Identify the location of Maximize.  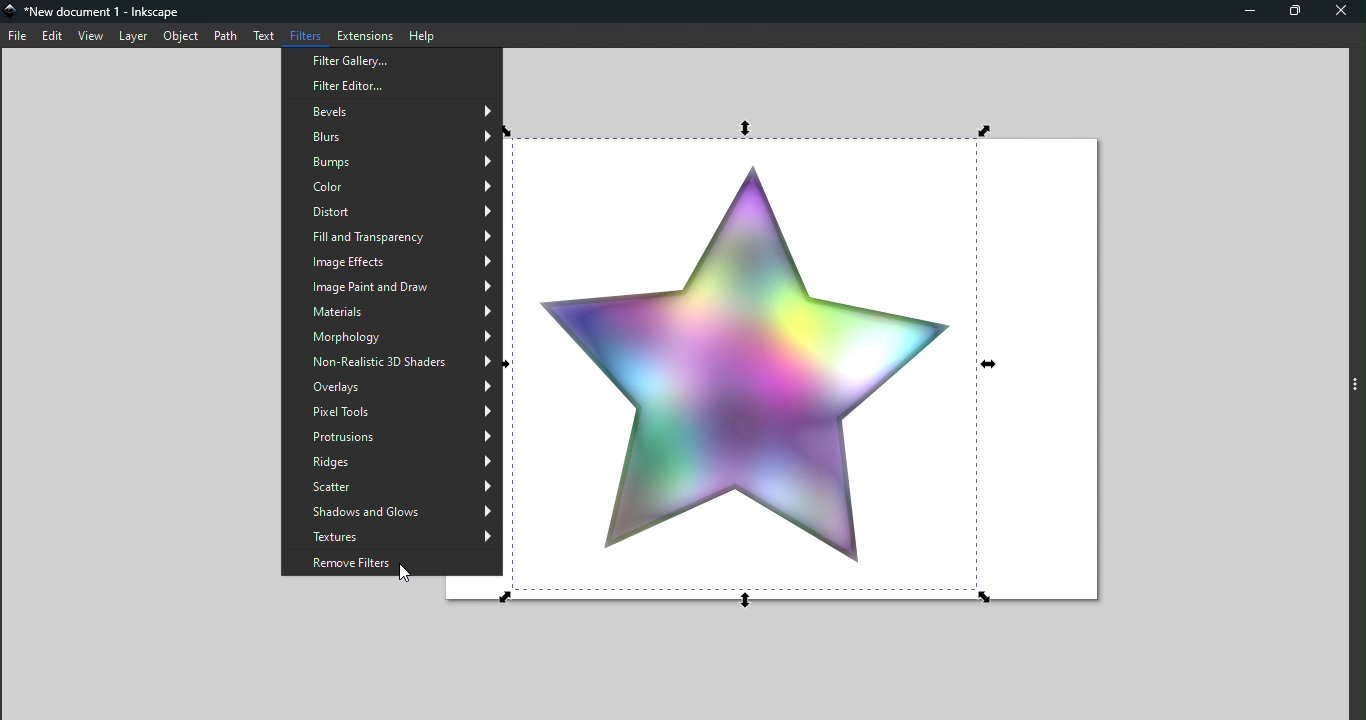
(1295, 11).